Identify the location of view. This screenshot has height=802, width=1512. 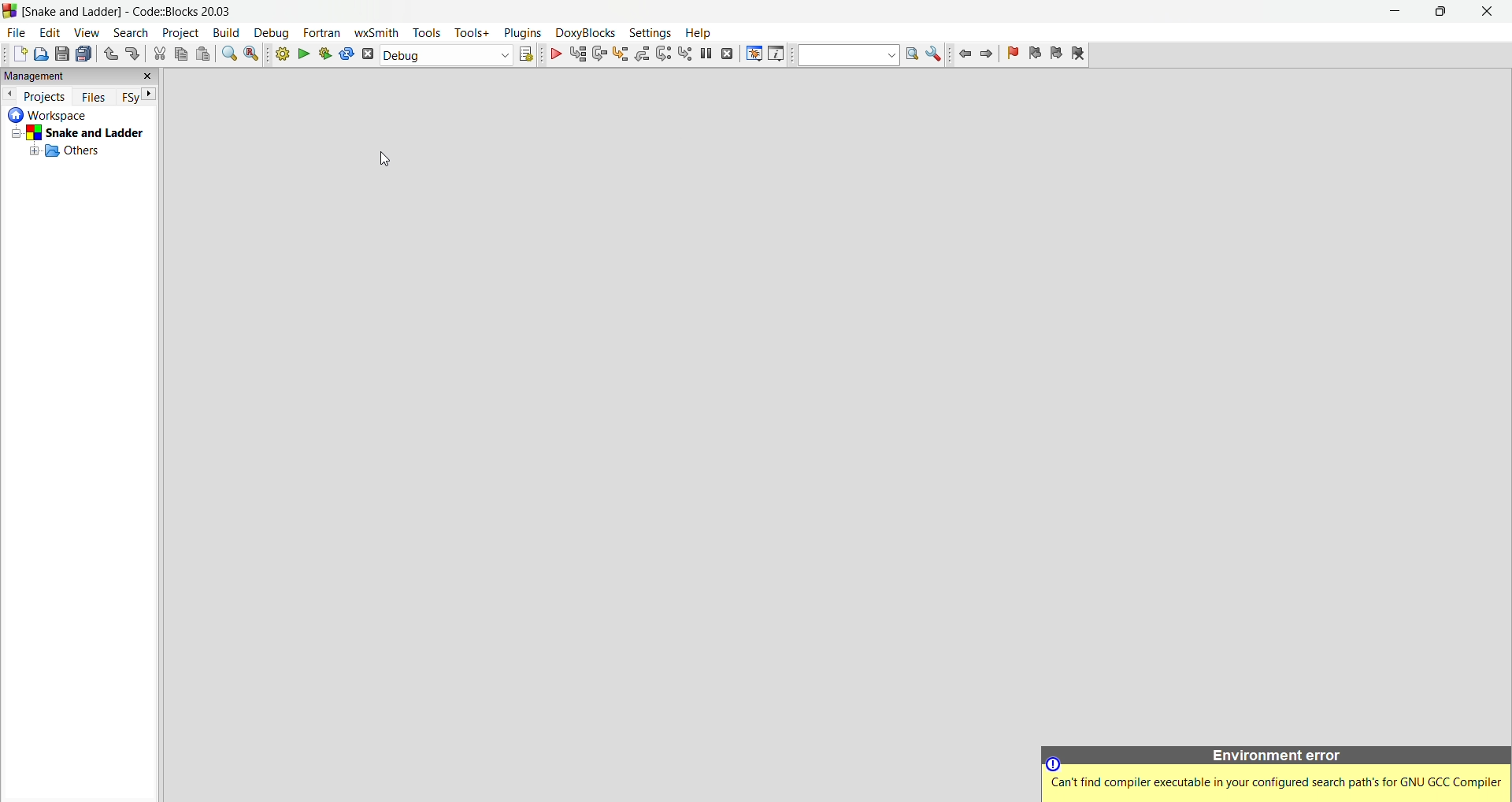
(88, 33).